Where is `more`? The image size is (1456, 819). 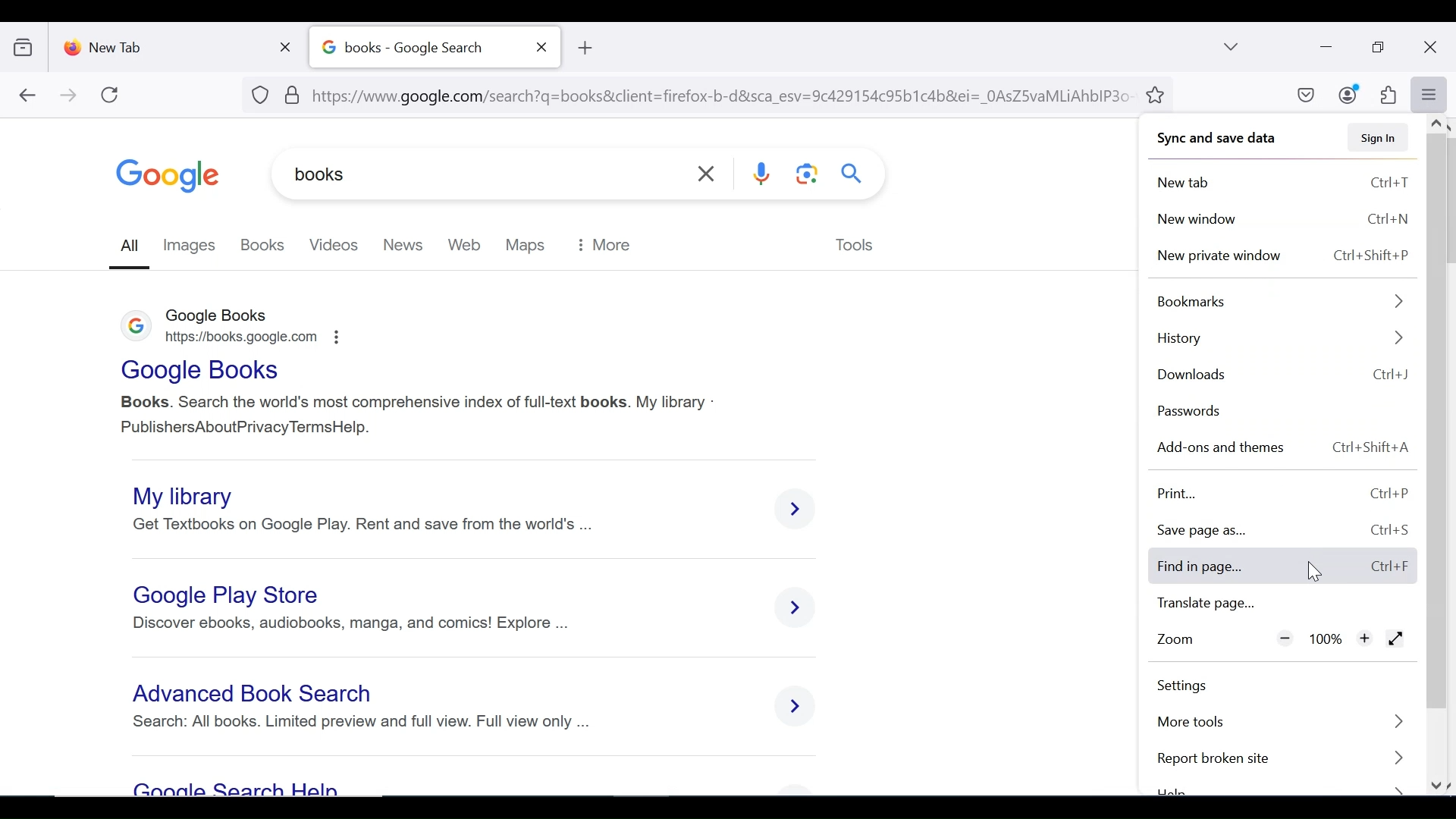
more is located at coordinates (608, 243).